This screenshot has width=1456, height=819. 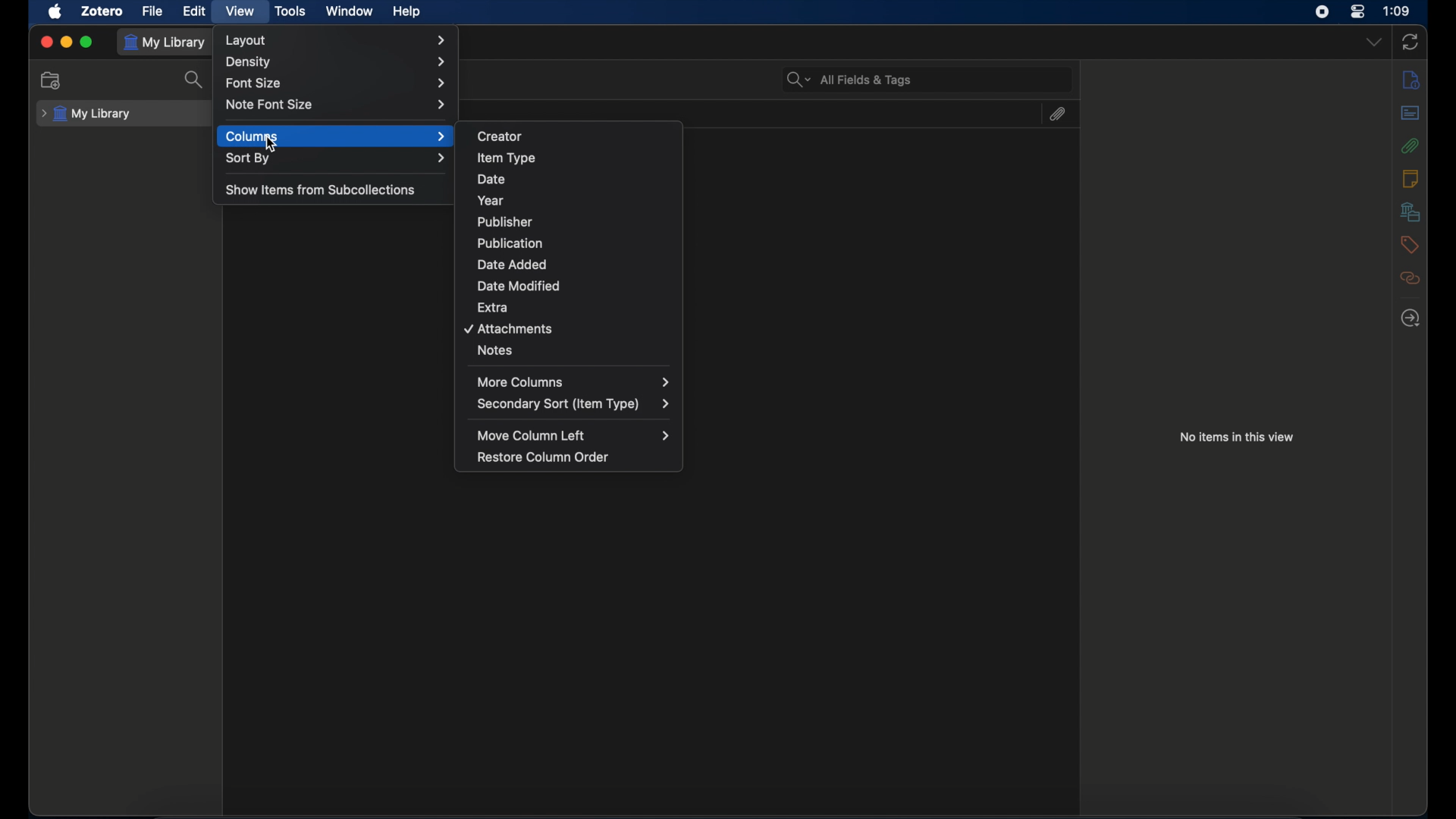 I want to click on notes, so click(x=1410, y=178).